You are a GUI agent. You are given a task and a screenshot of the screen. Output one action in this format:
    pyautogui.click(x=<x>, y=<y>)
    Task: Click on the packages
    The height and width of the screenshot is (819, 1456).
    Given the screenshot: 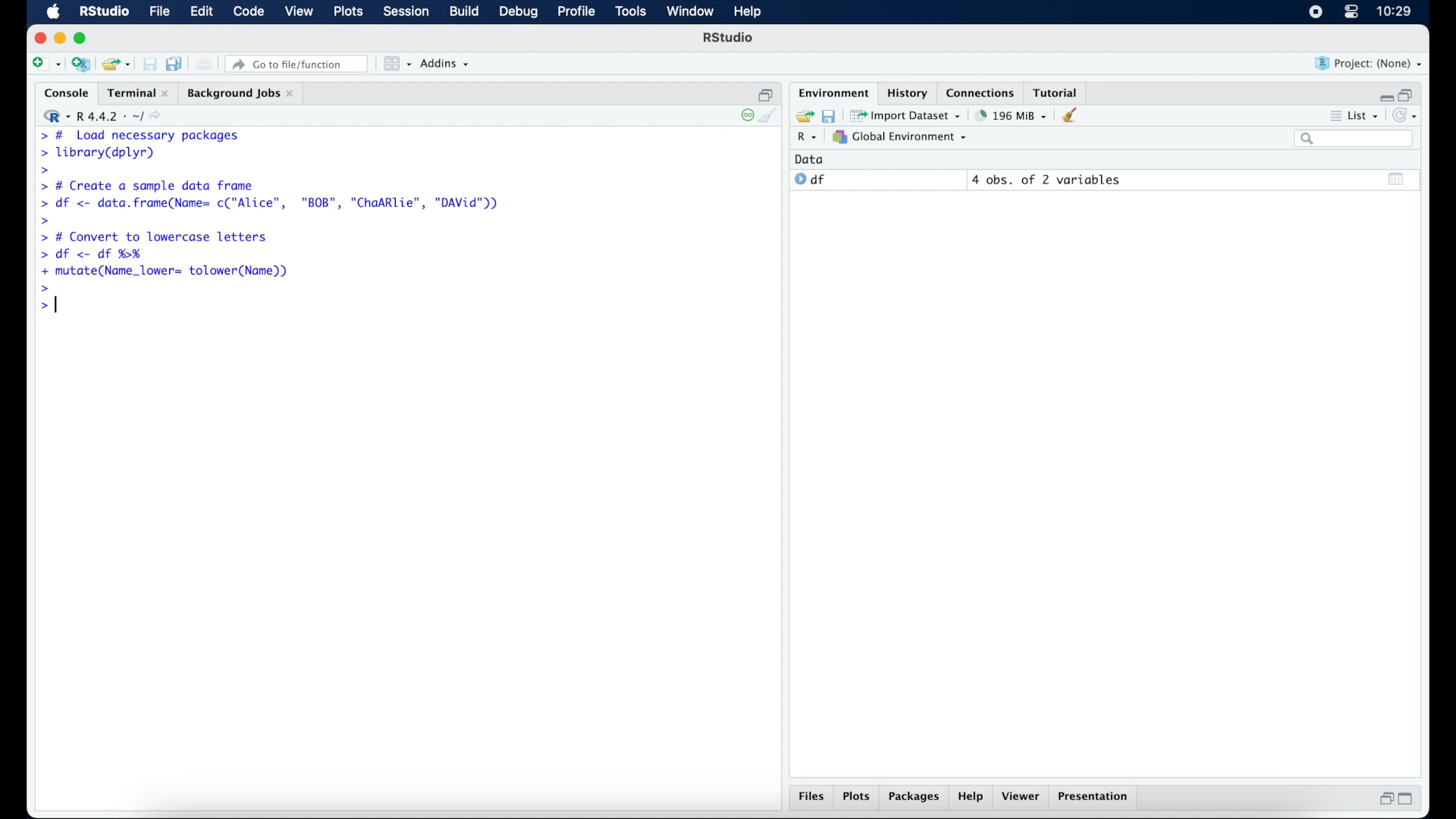 What is the action you would take?
    pyautogui.click(x=915, y=799)
    